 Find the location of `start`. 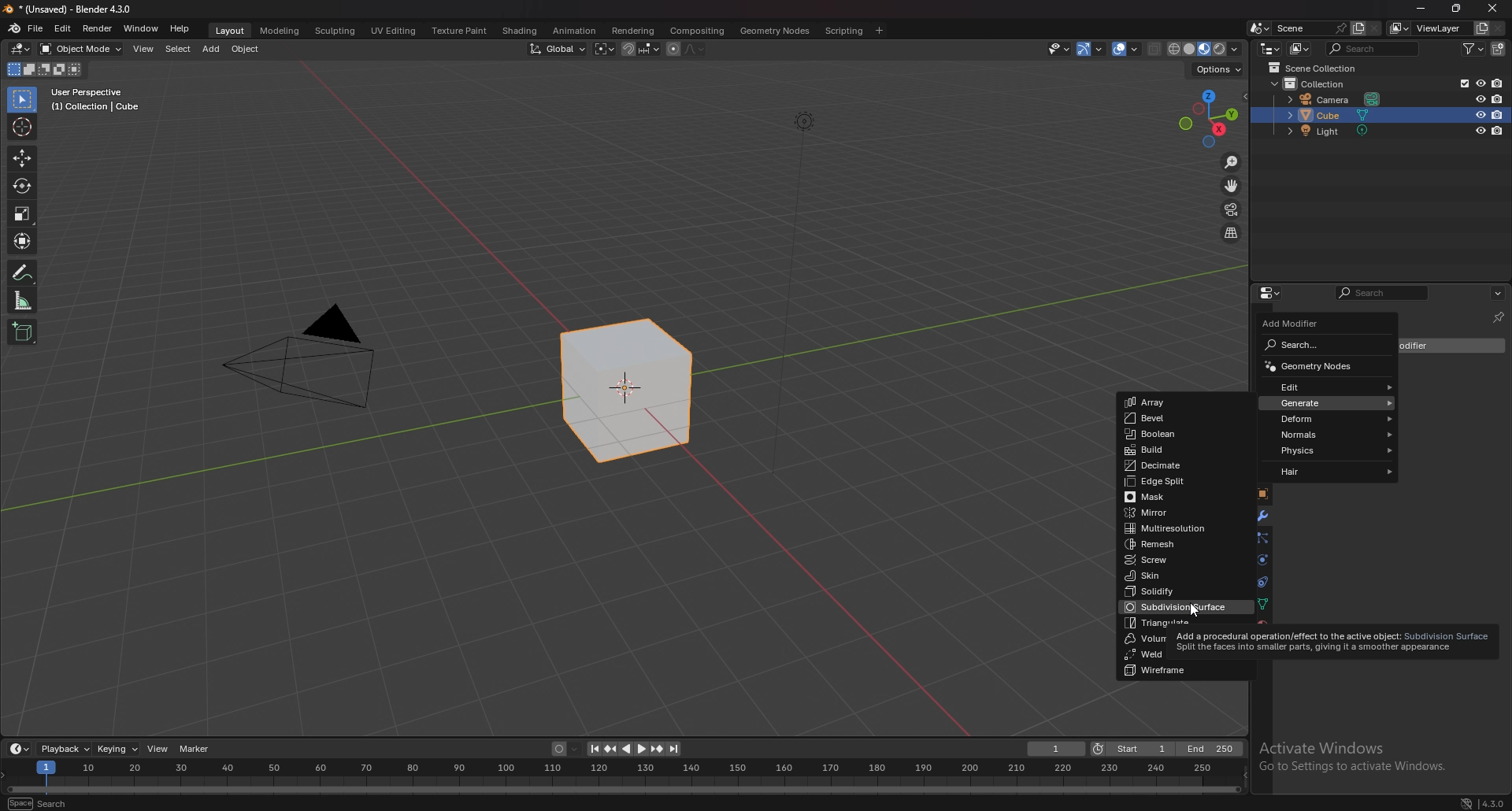

start is located at coordinates (1132, 749).